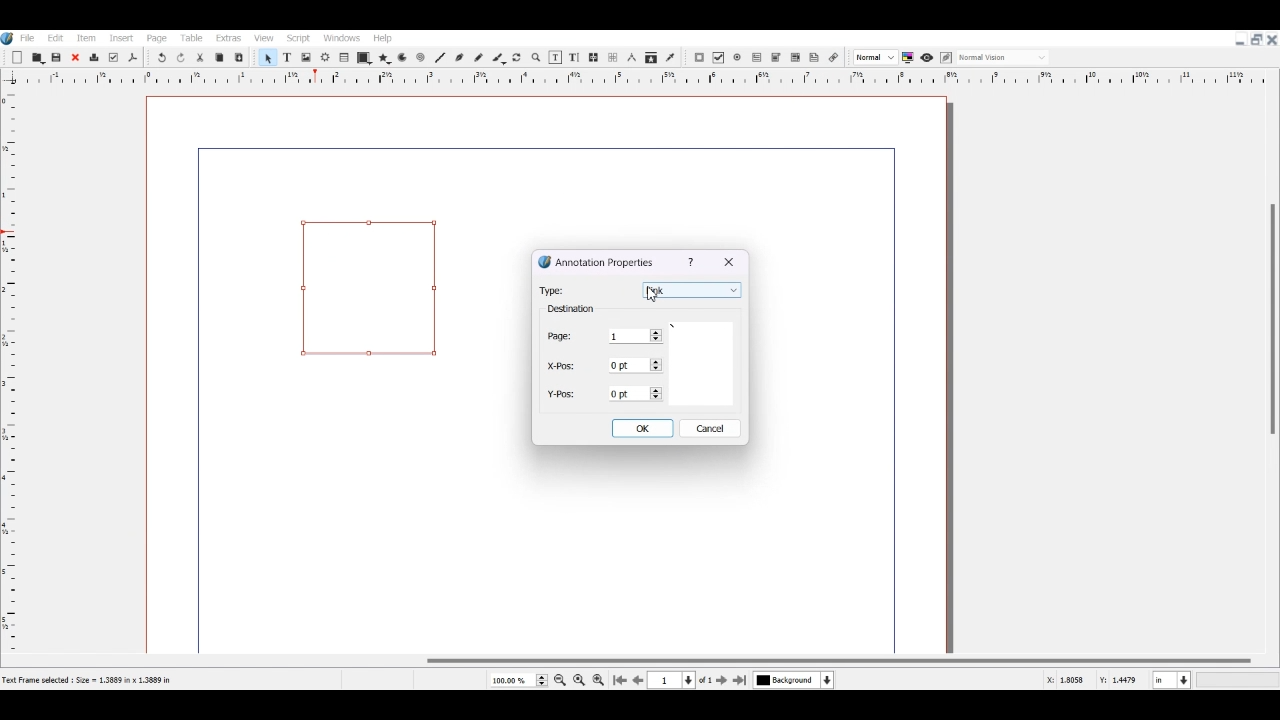 The image size is (1280, 720). What do you see at coordinates (239, 57) in the screenshot?
I see `Paste` at bounding box center [239, 57].